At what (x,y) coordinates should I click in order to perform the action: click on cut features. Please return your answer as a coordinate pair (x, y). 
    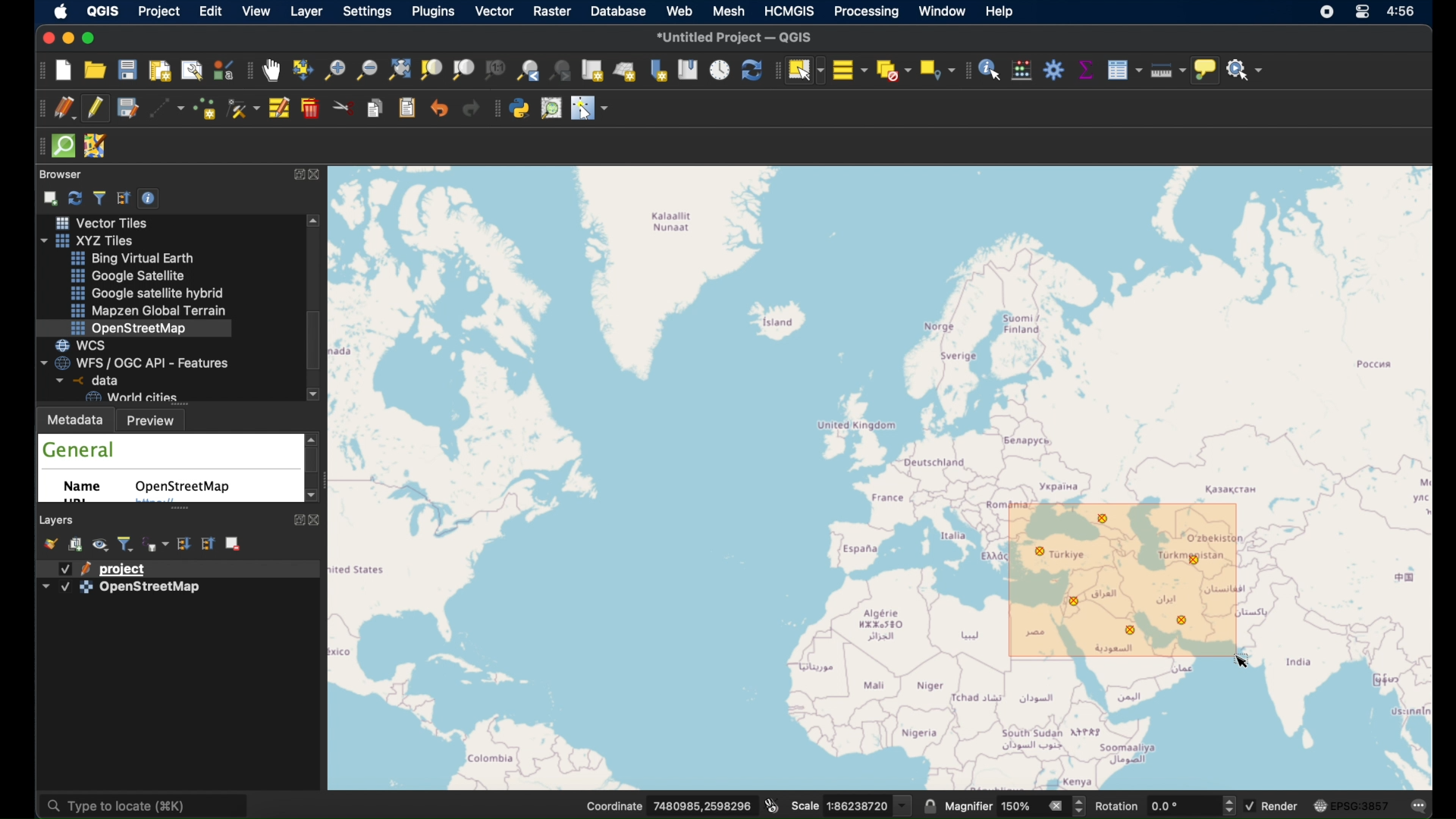
    Looking at the image, I should click on (344, 108).